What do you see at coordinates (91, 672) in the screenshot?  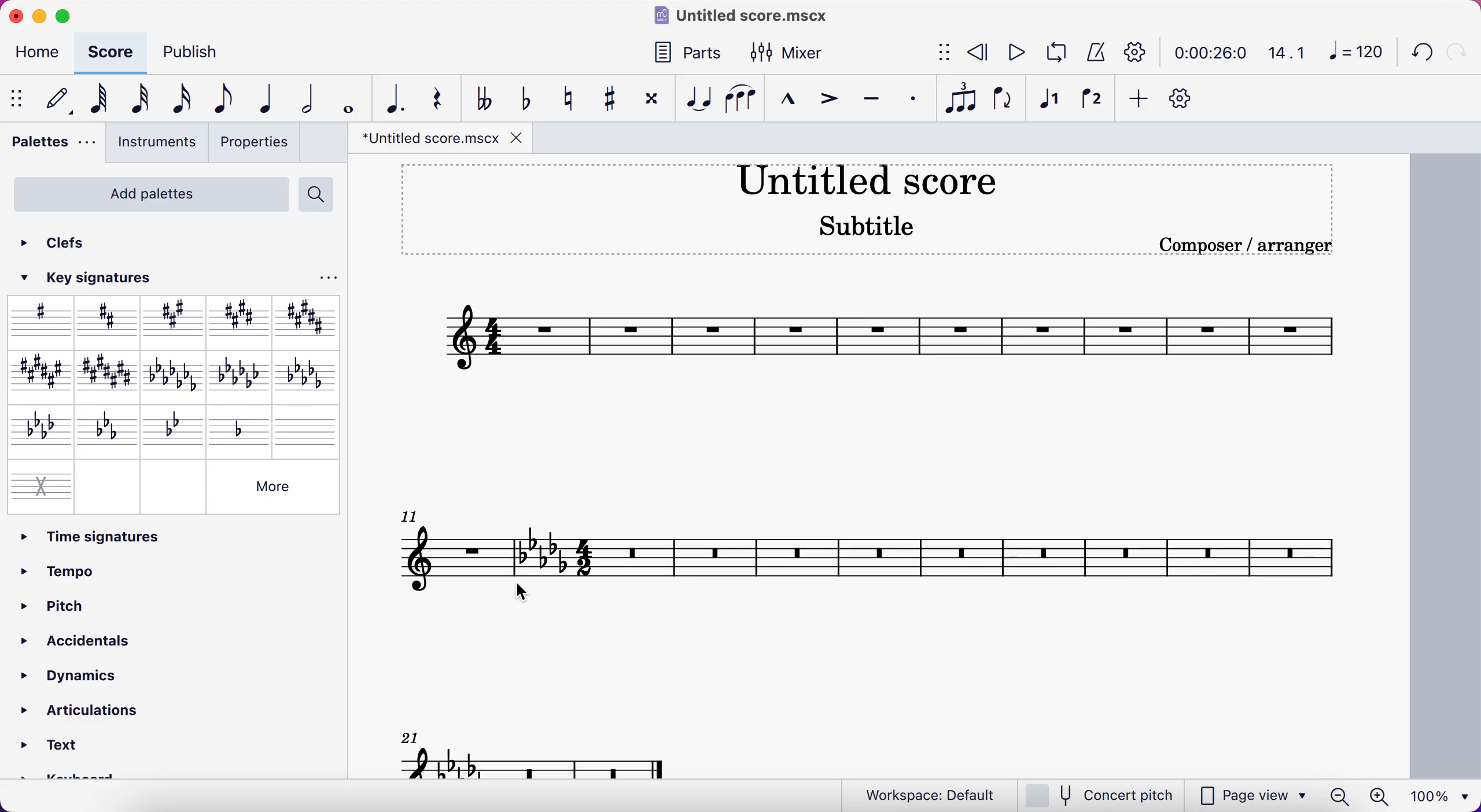 I see `dynamics` at bounding box center [91, 672].